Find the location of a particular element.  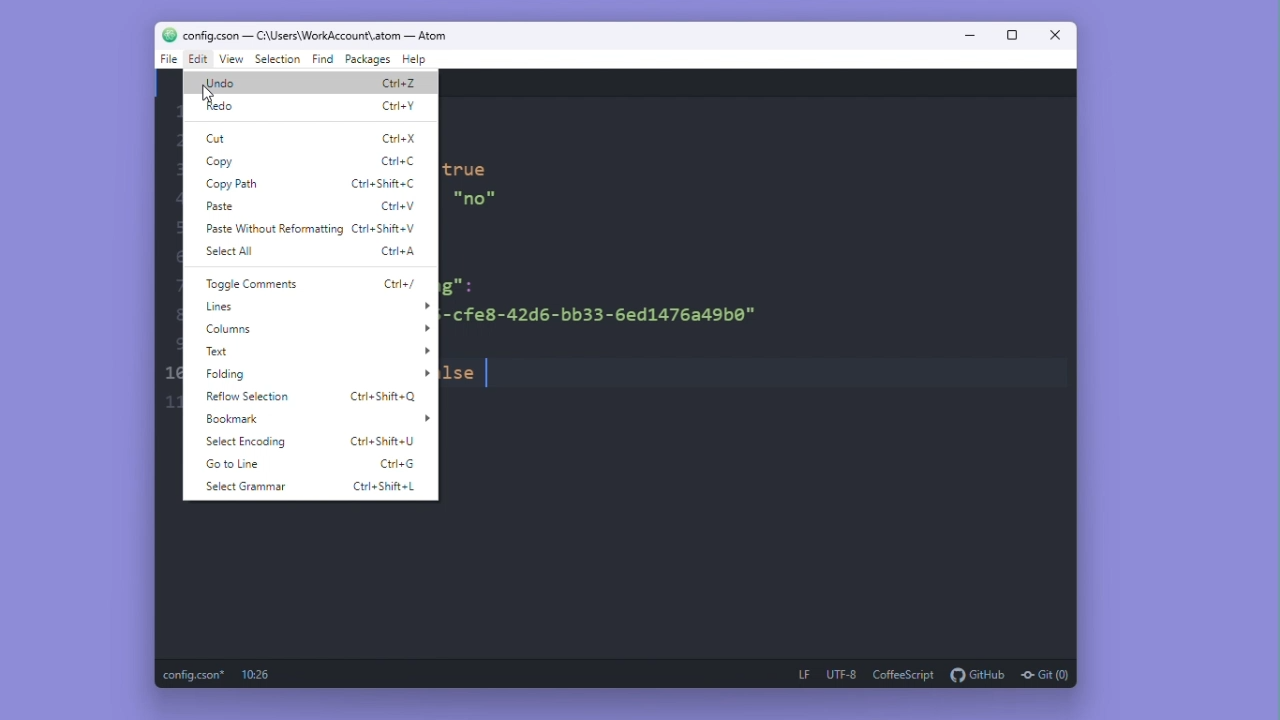

ctrl+z is located at coordinates (399, 80).